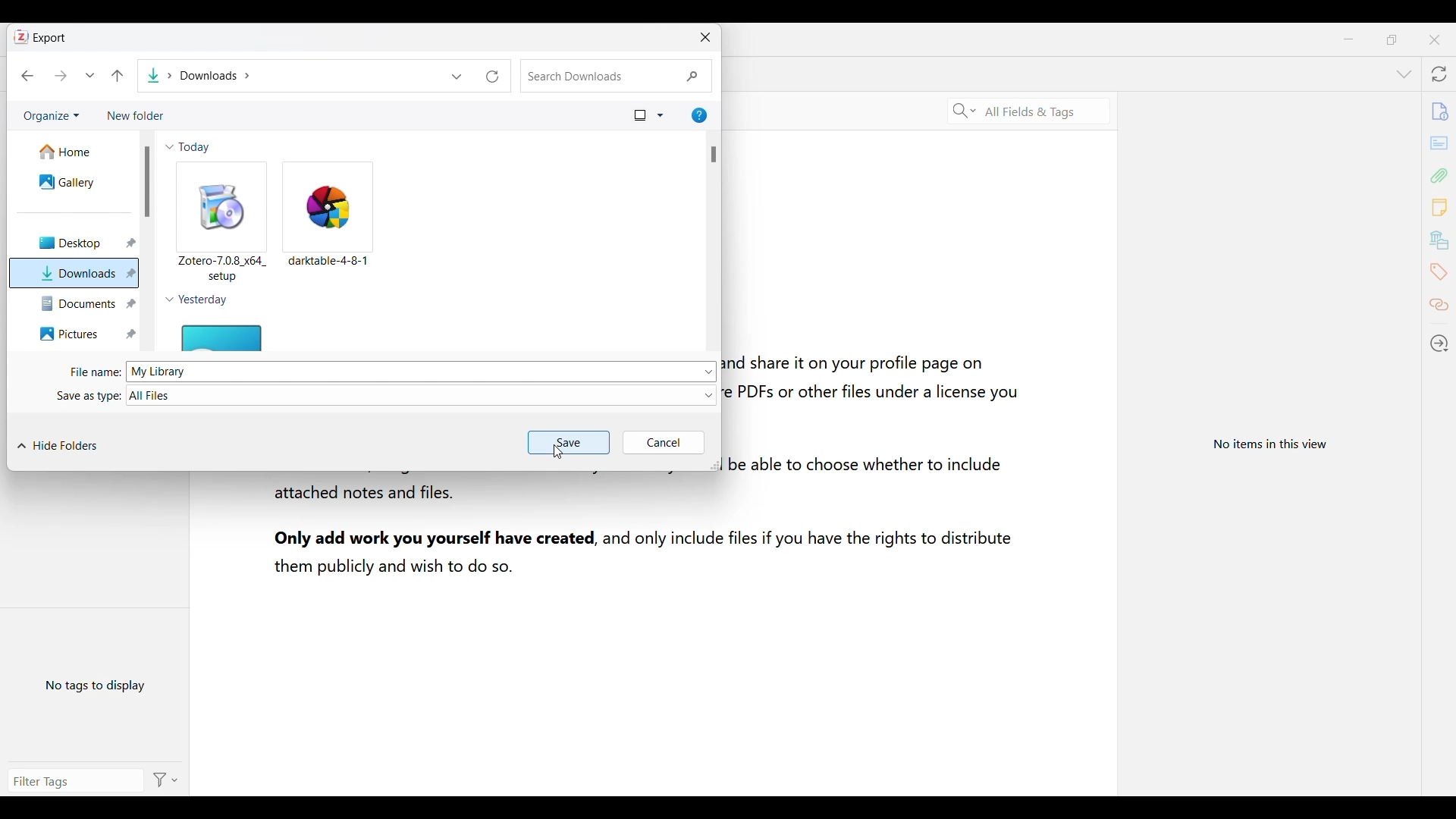 This screenshot has height=819, width=1456. Describe the element at coordinates (72, 779) in the screenshot. I see `Enter search manually` at that location.